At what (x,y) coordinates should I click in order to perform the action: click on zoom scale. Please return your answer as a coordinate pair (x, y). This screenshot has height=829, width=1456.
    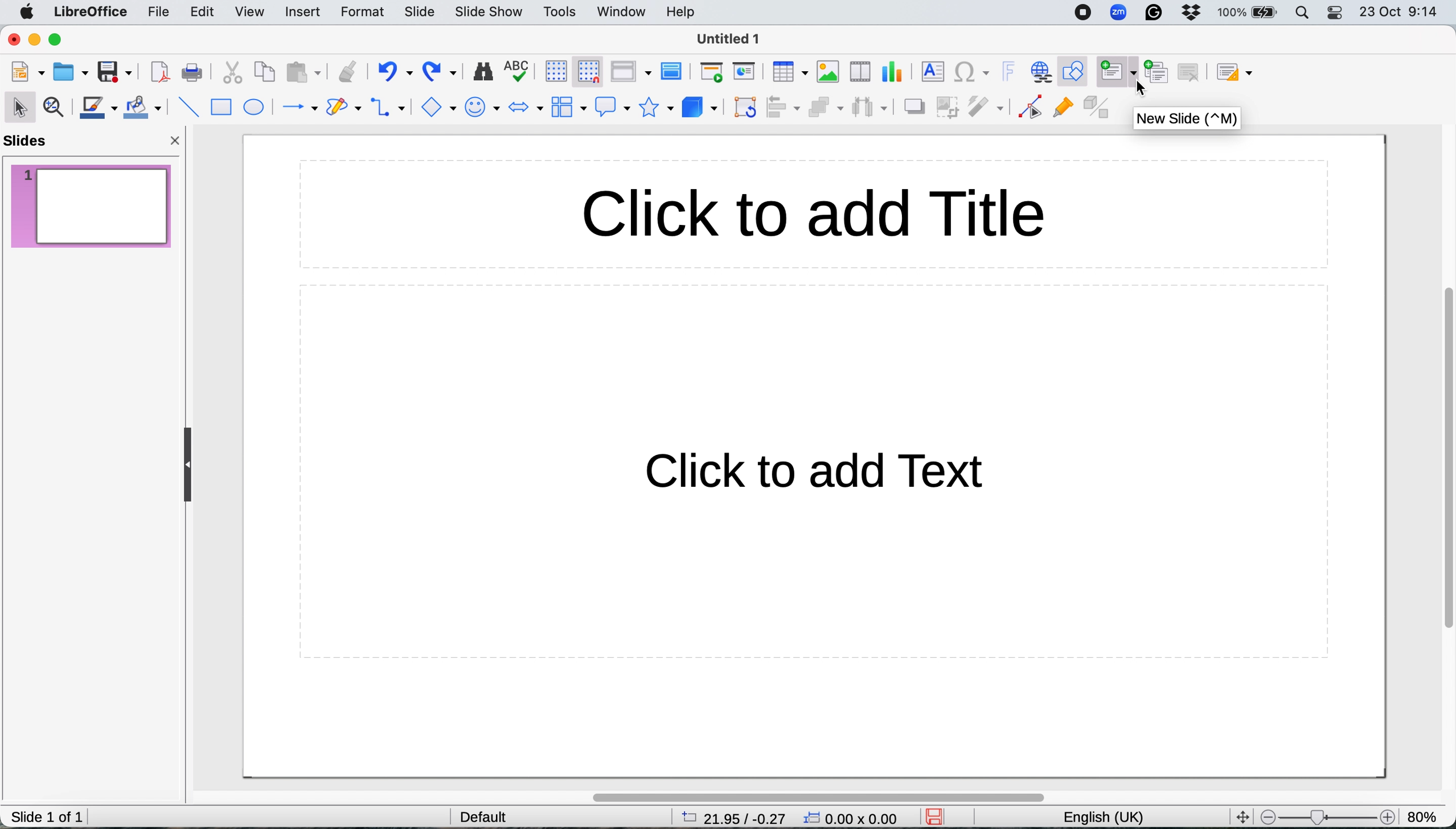
    Looking at the image, I should click on (1326, 814).